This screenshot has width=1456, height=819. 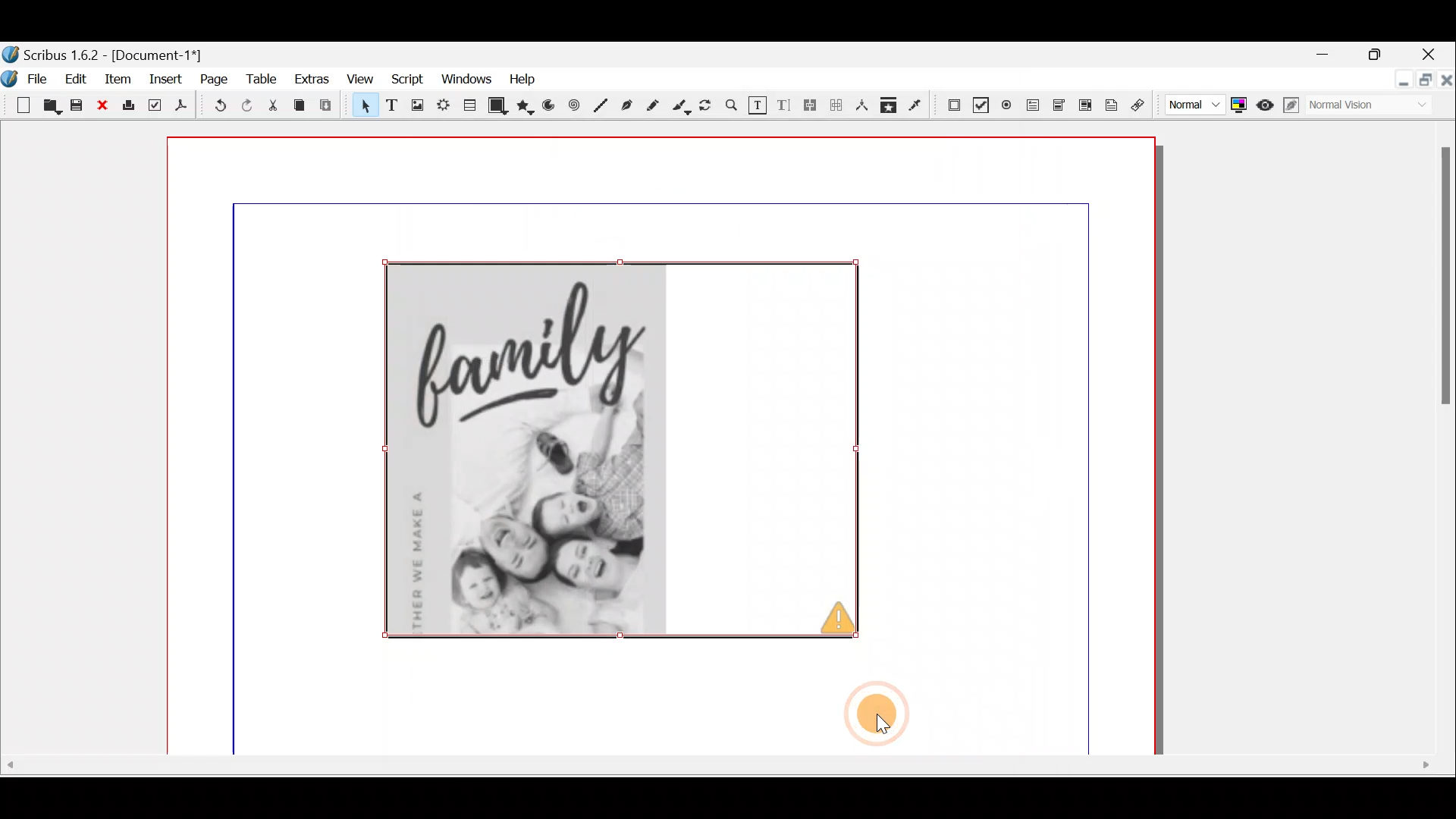 What do you see at coordinates (155, 107) in the screenshot?
I see `Preflight verifier` at bounding box center [155, 107].